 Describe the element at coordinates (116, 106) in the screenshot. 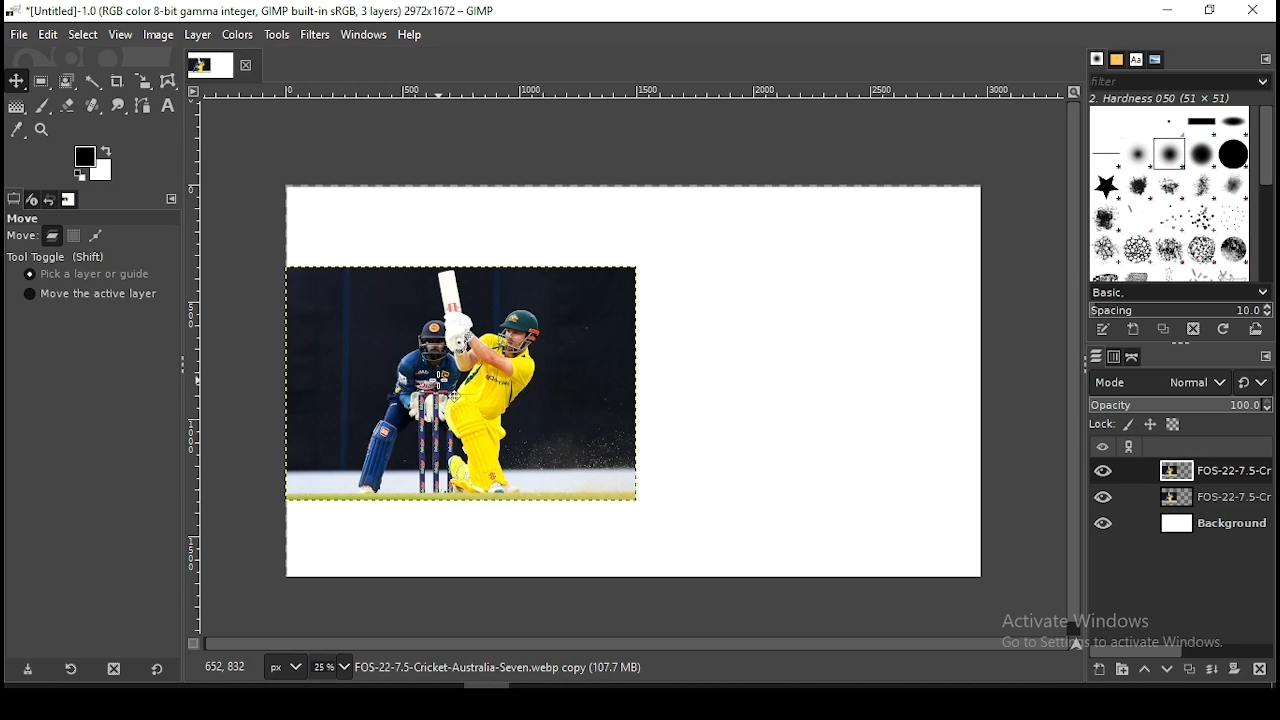

I see `smudge tool` at that location.